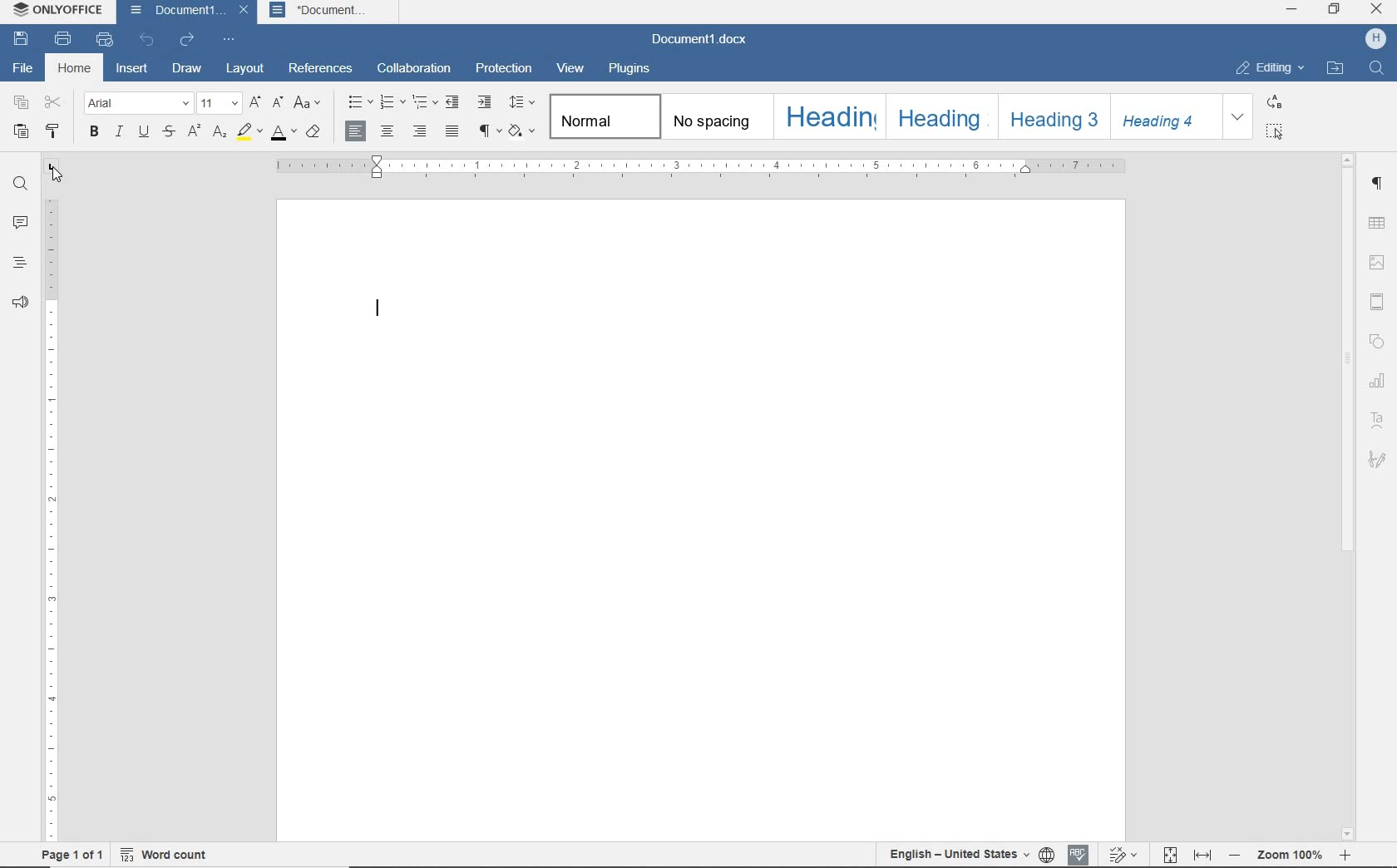  I want to click on HEADINGS, so click(18, 262).